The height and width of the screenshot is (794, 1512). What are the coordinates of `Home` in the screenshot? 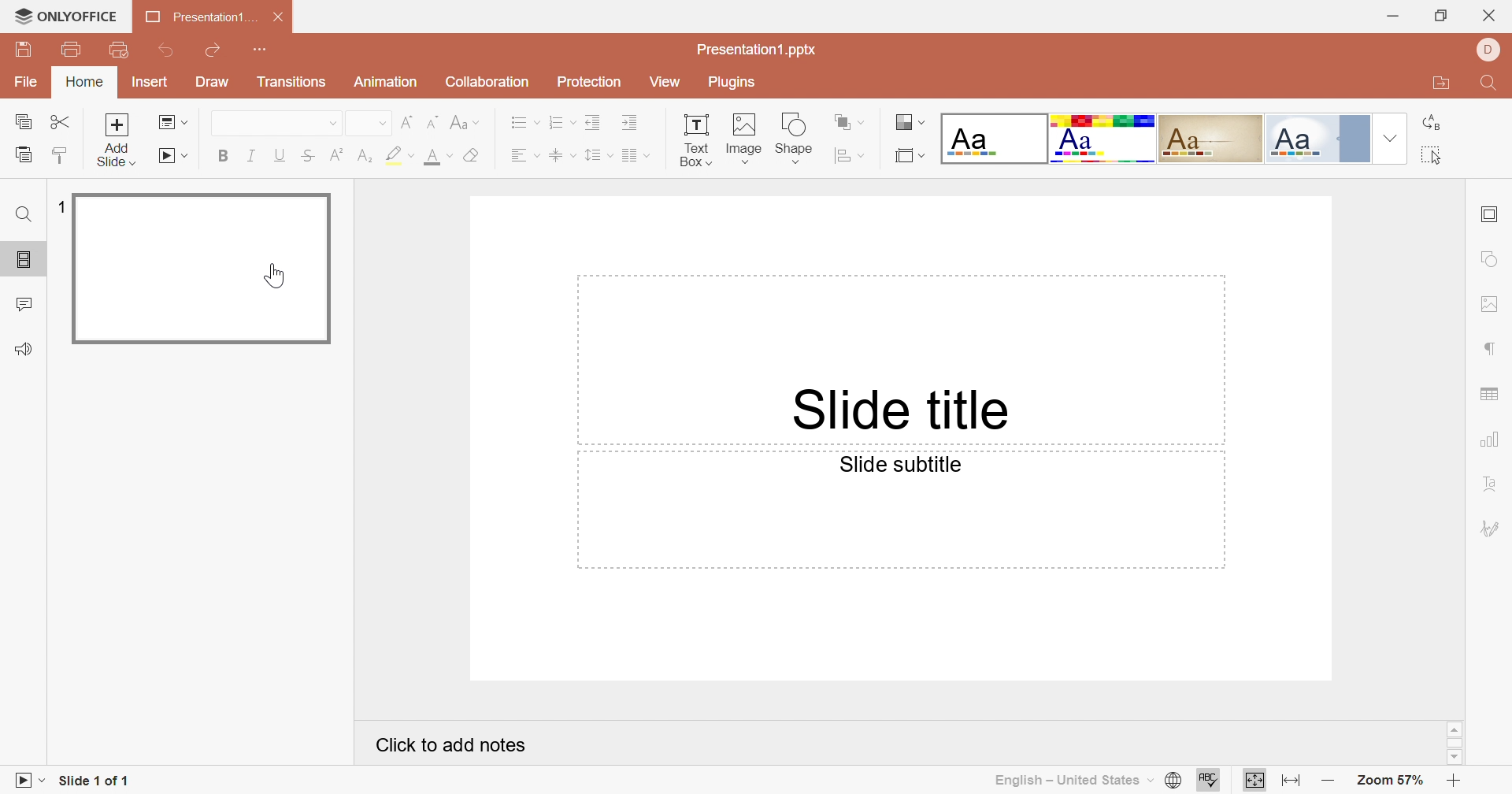 It's located at (83, 82).